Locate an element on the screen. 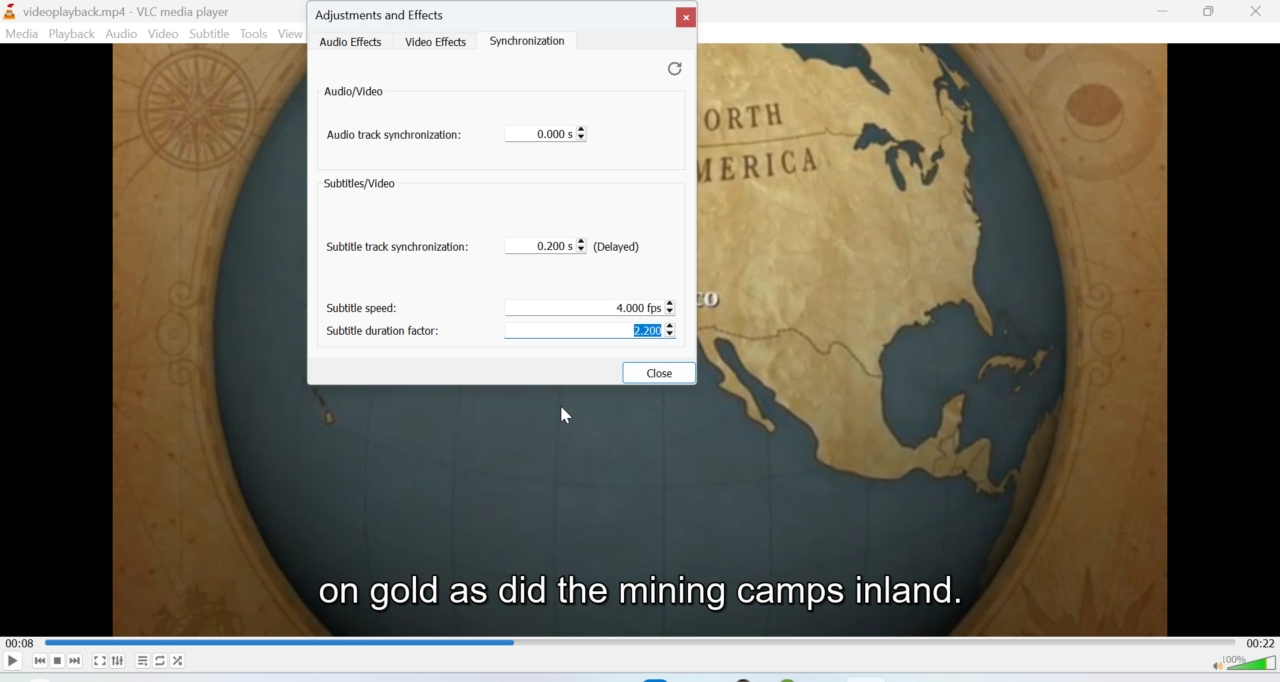  Volume is located at coordinates (1241, 667).